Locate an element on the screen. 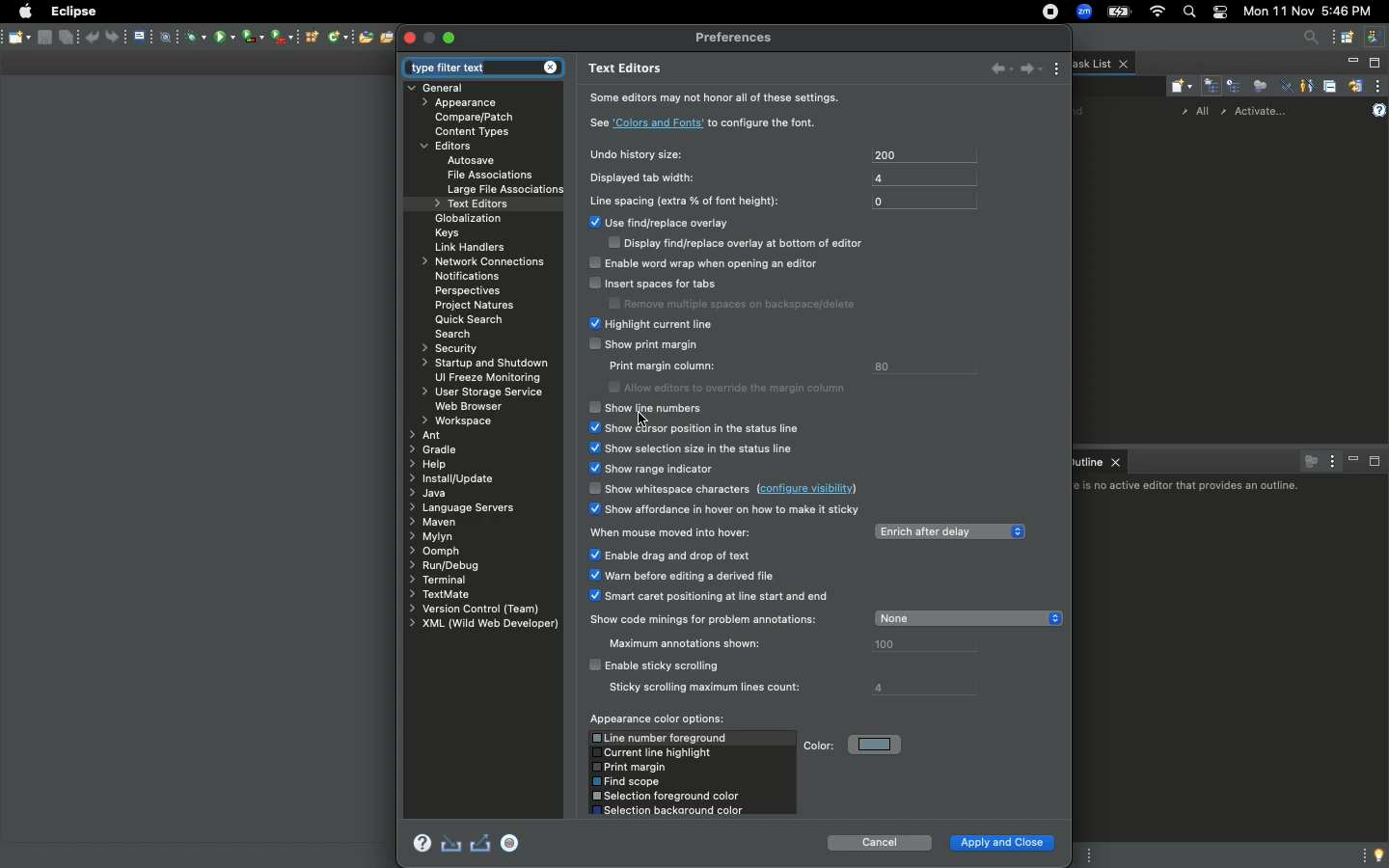 The image size is (1389, 868). Enable sticky scrolling is located at coordinates (715, 675).